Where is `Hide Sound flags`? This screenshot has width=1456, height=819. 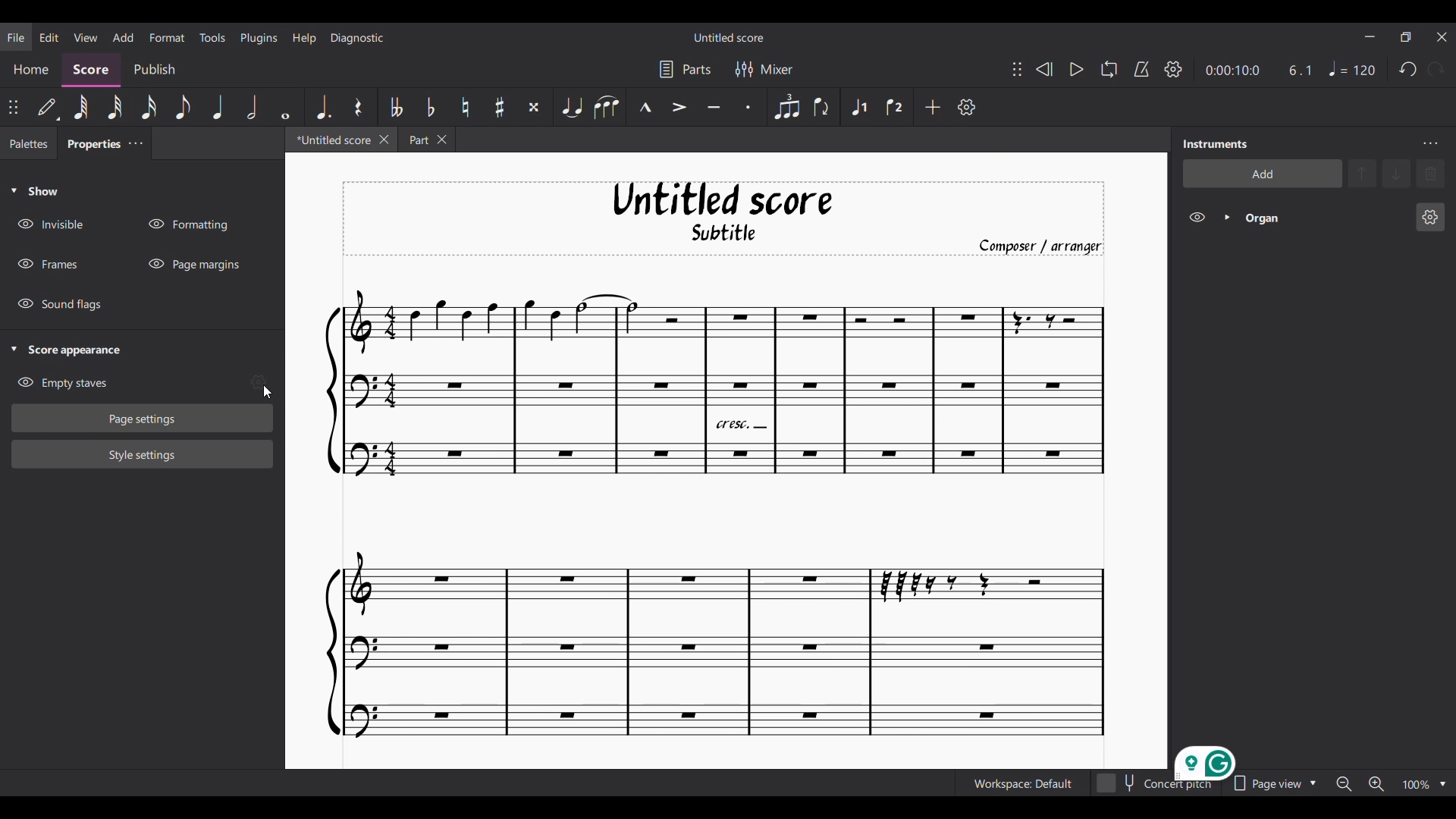
Hide Sound flags is located at coordinates (58, 305).